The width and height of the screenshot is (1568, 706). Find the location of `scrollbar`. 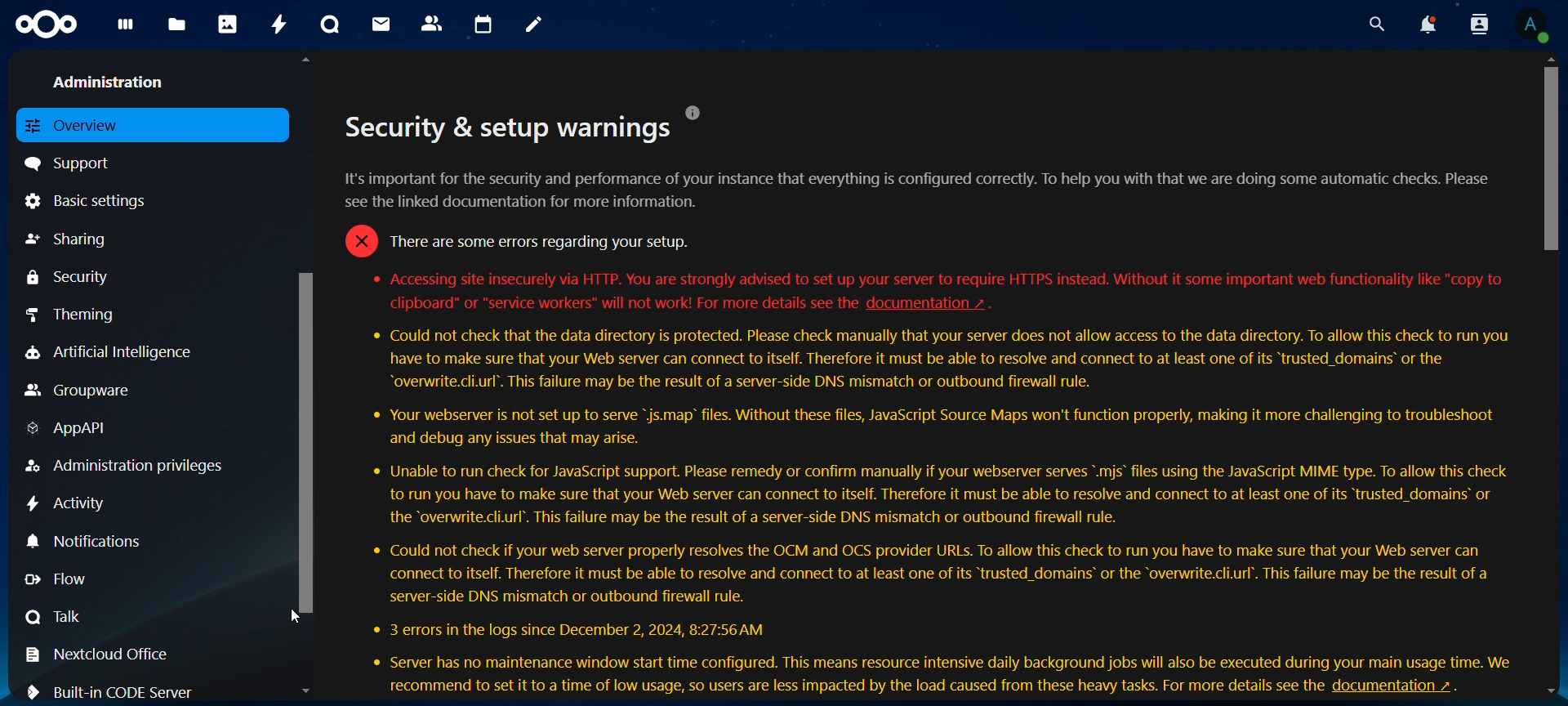

scrollbar is located at coordinates (309, 437).